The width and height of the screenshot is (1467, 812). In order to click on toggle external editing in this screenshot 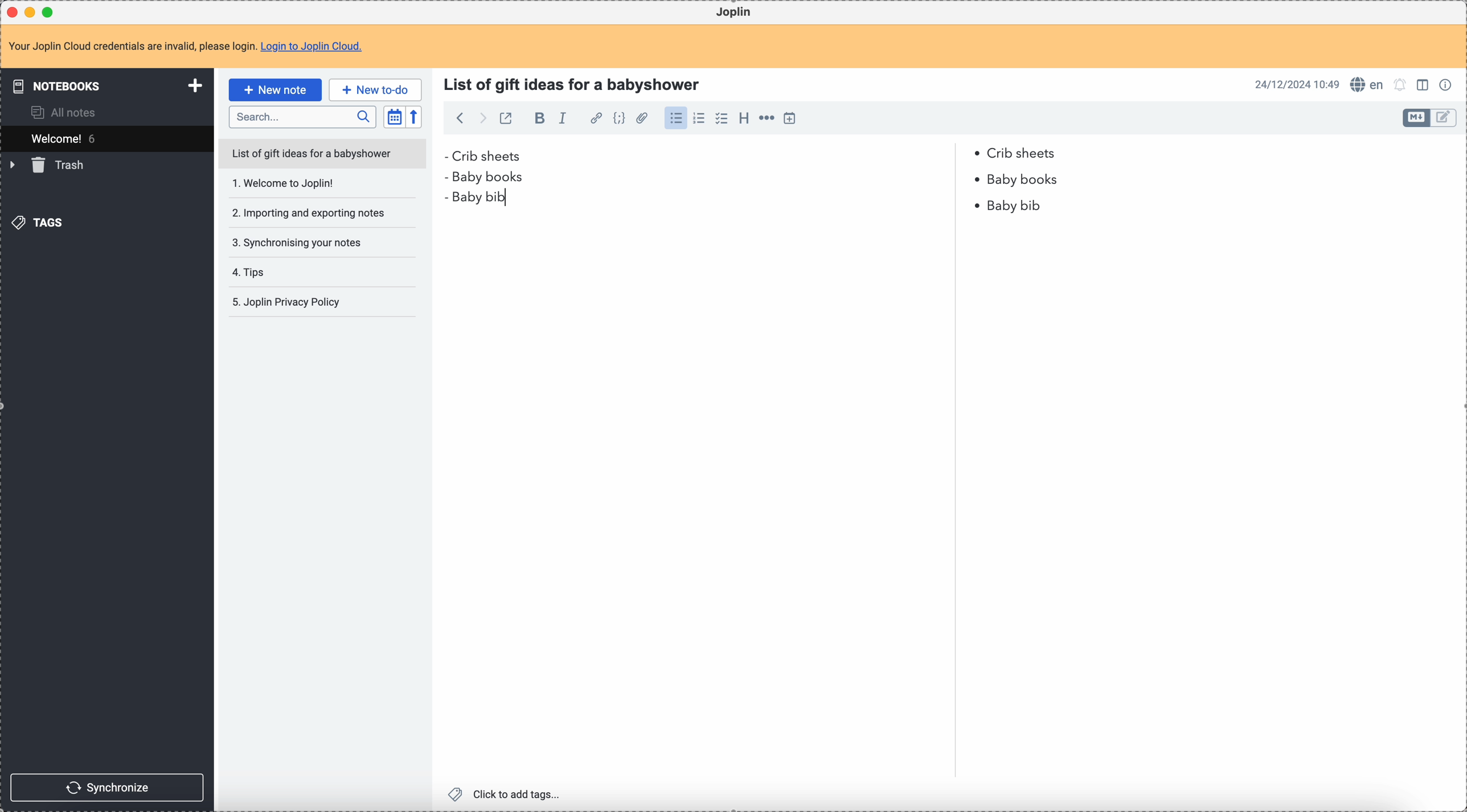, I will do `click(505, 118)`.